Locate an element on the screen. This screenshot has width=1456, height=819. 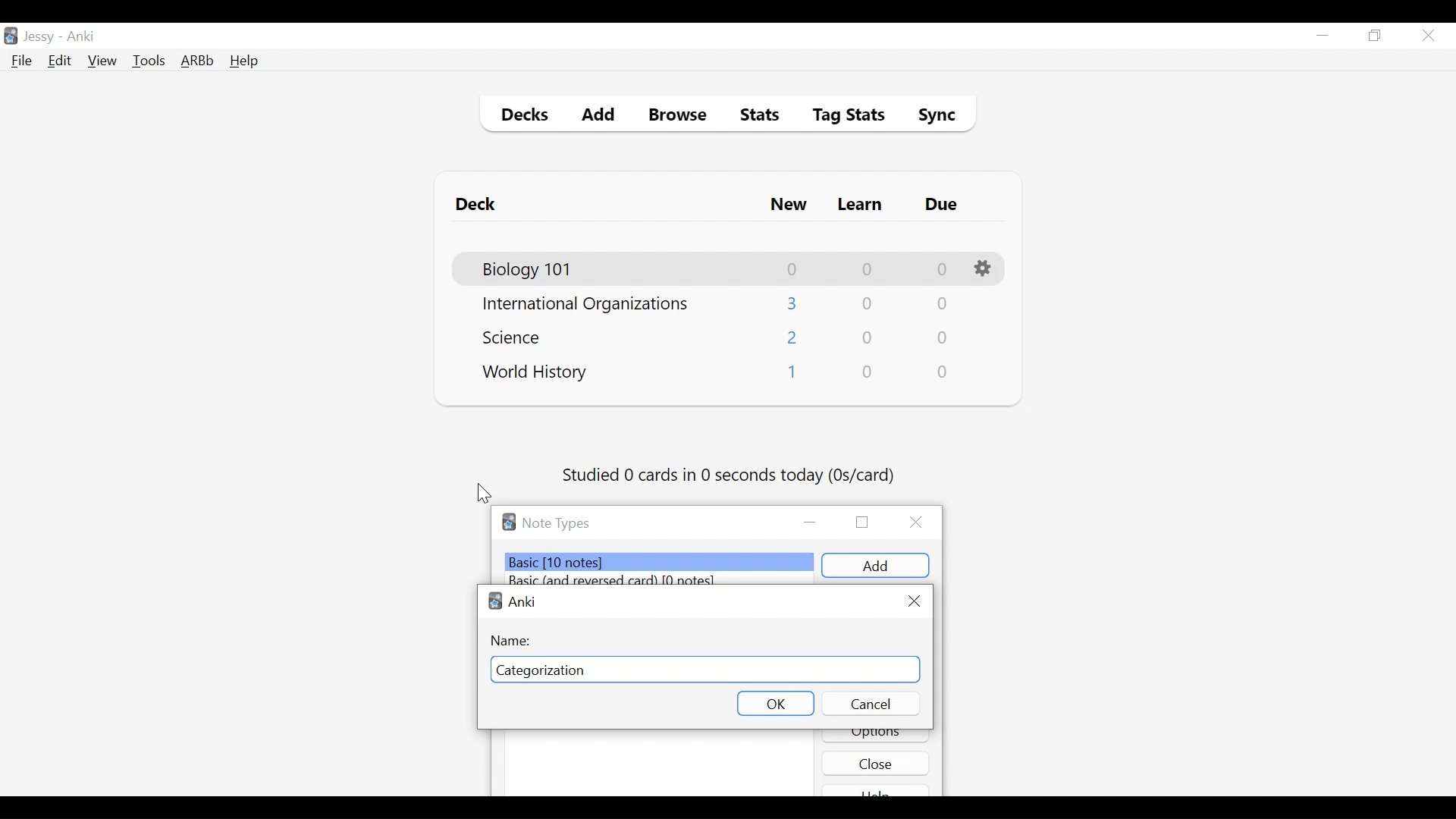
Anki is located at coordinates (81, 36).